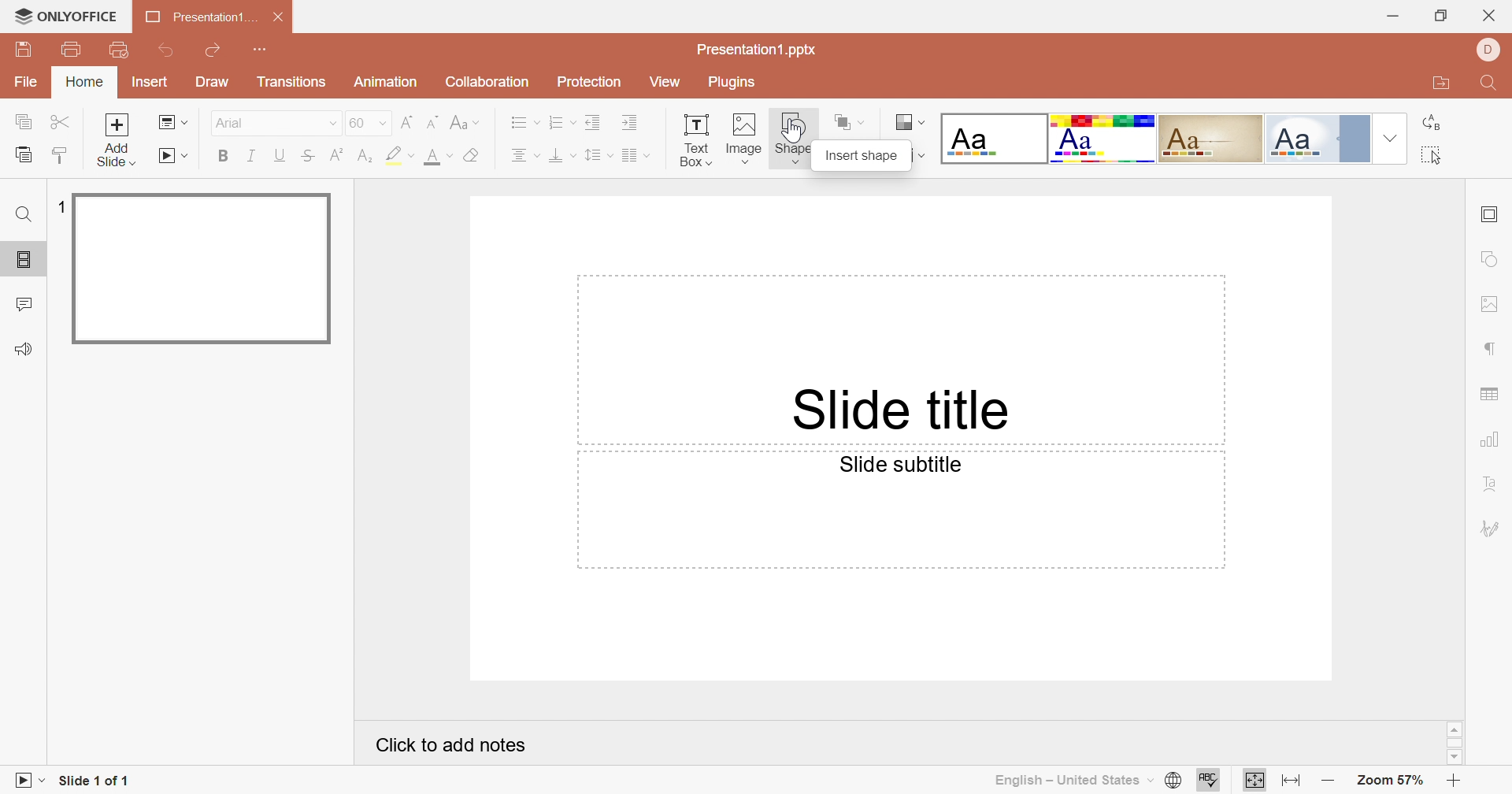  What do you see at coordinates (280, 157) in the screenshot?
I see `Underline` at bounding box center [280, 157].